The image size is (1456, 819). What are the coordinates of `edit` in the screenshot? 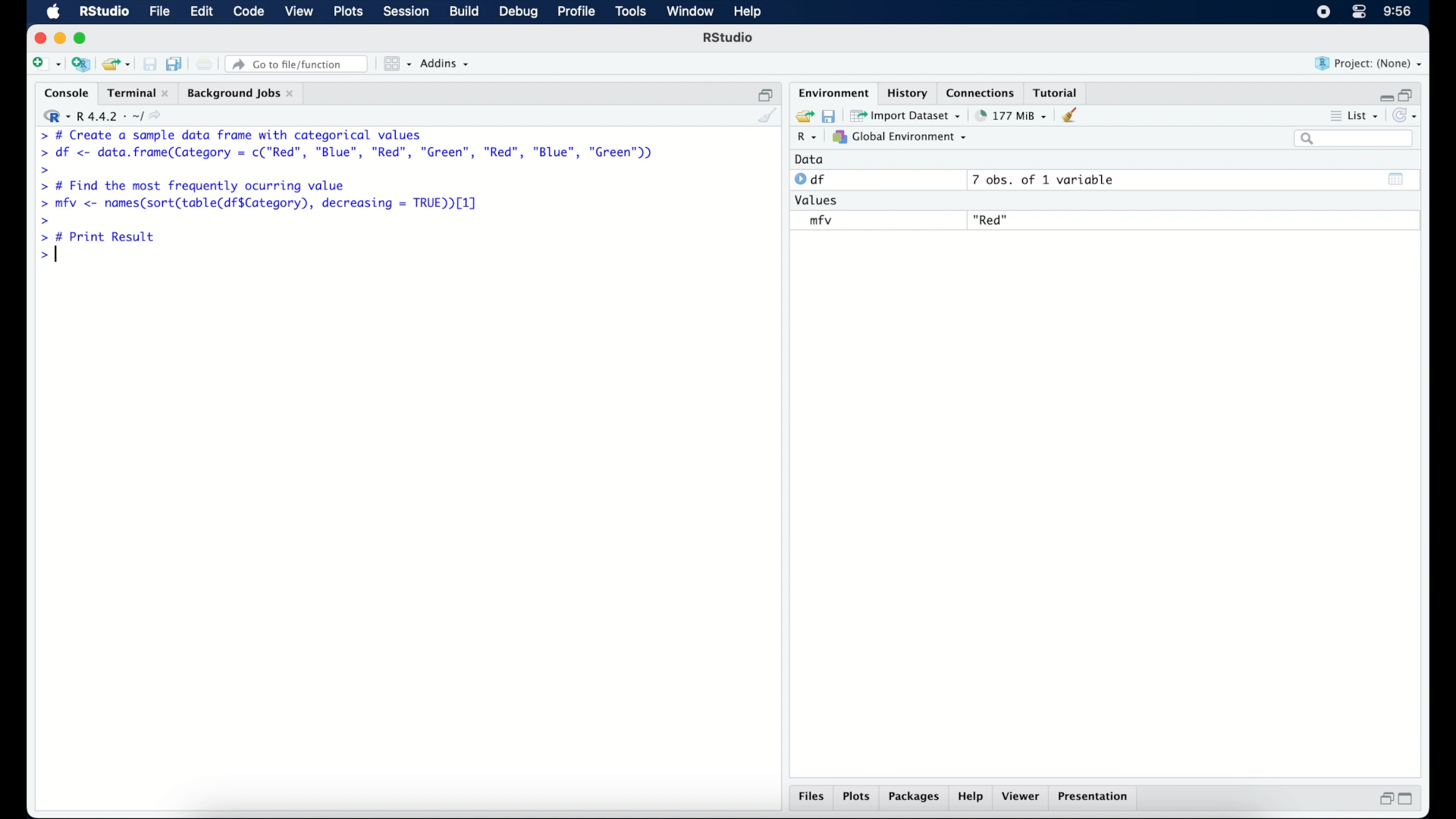 It's located at (202, 12).